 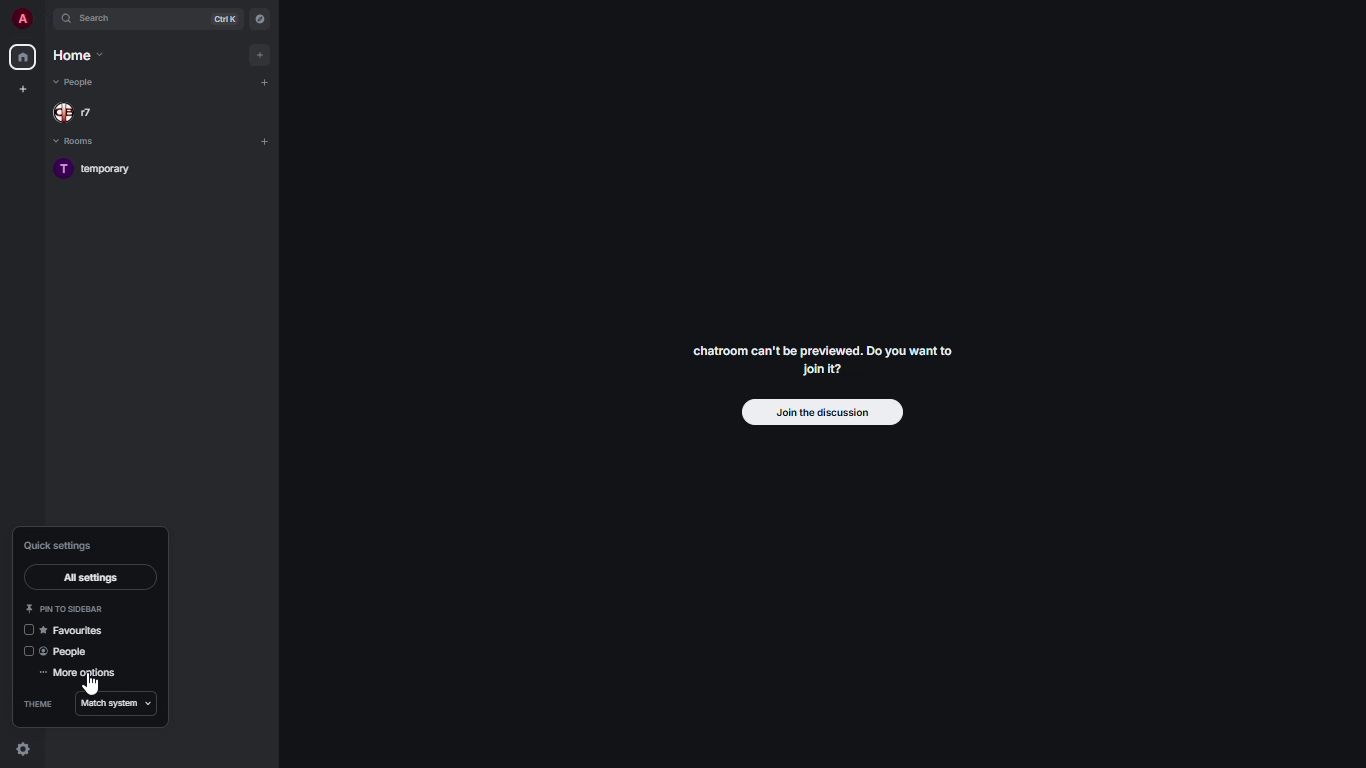 I want to click on disabled, so click(x=25, y=652).